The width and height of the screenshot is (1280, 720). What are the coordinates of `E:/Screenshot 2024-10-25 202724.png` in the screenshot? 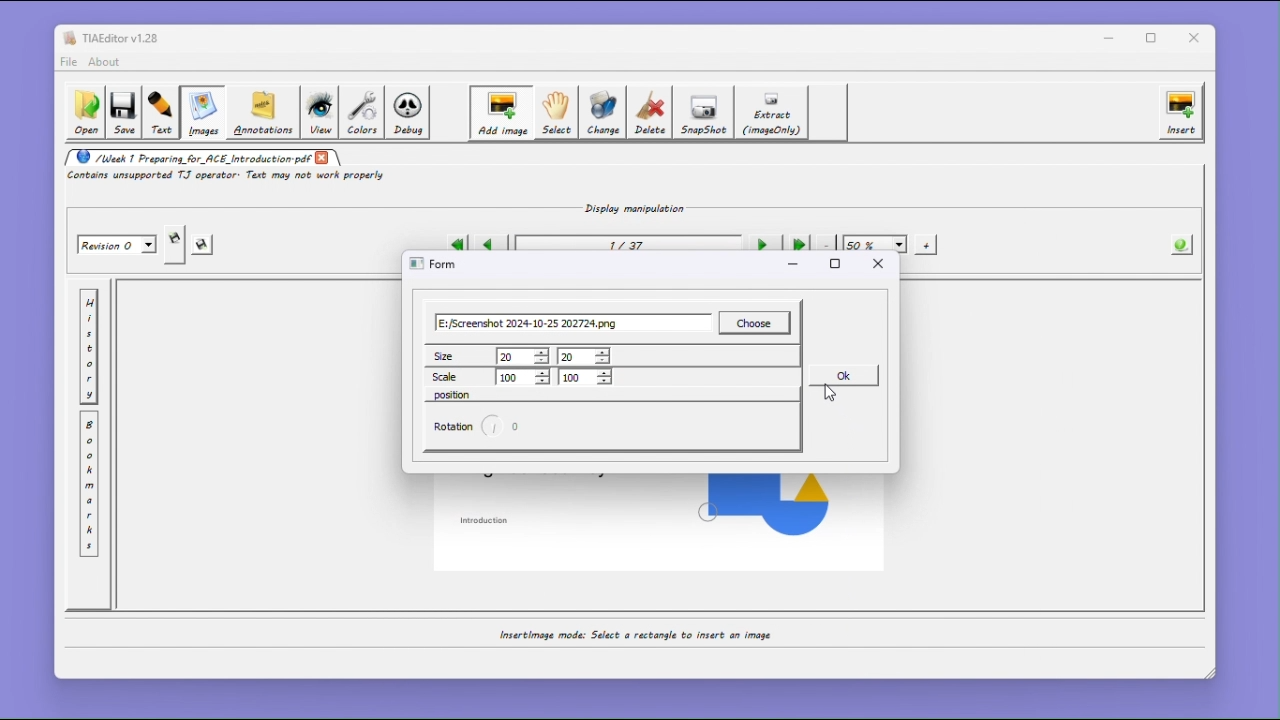 It's located at (574, 323).